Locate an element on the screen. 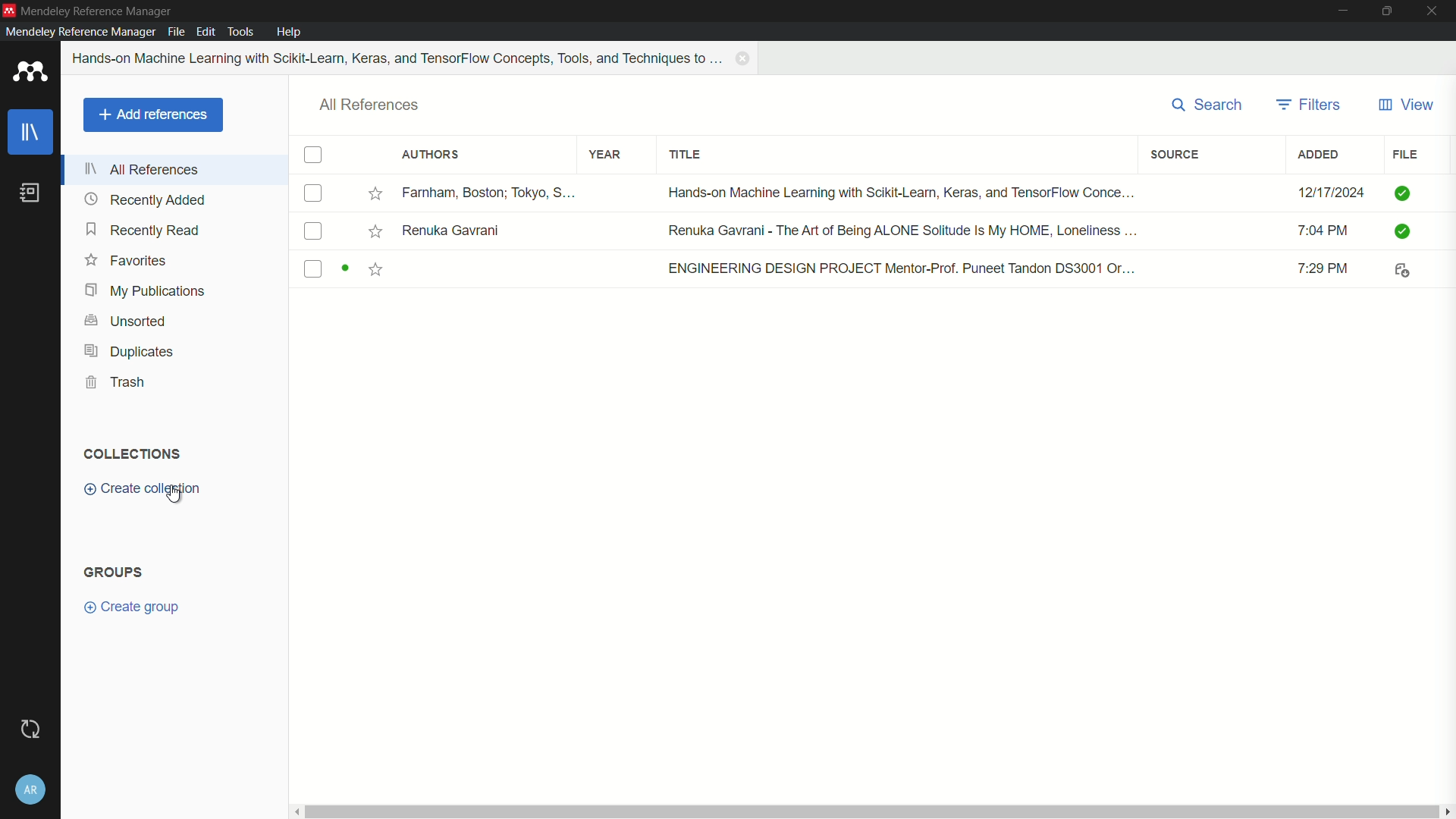 The height and width of the screenshot is (819, 1456). app name is located at coordinates (98, 11).